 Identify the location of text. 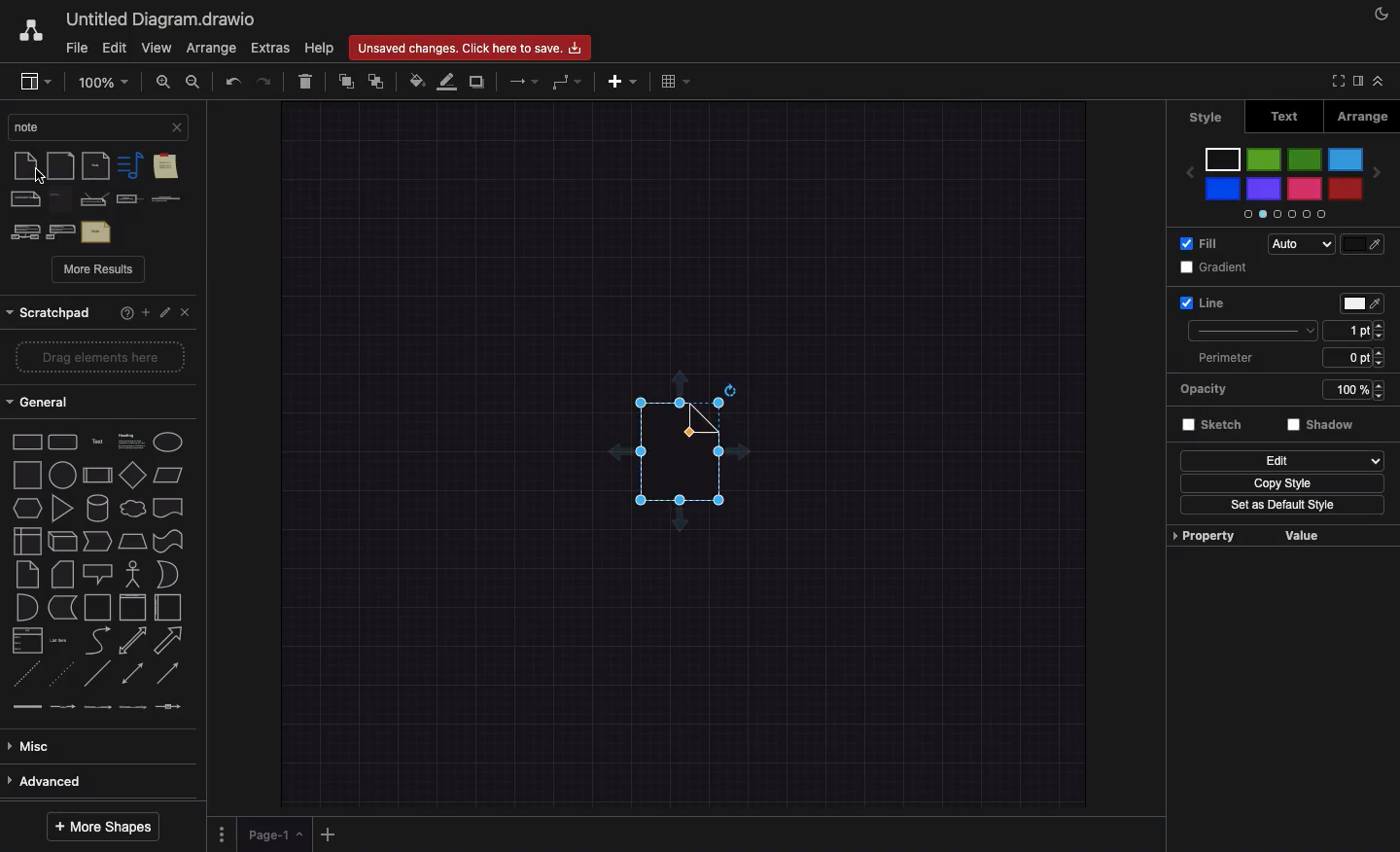
(96, 231).